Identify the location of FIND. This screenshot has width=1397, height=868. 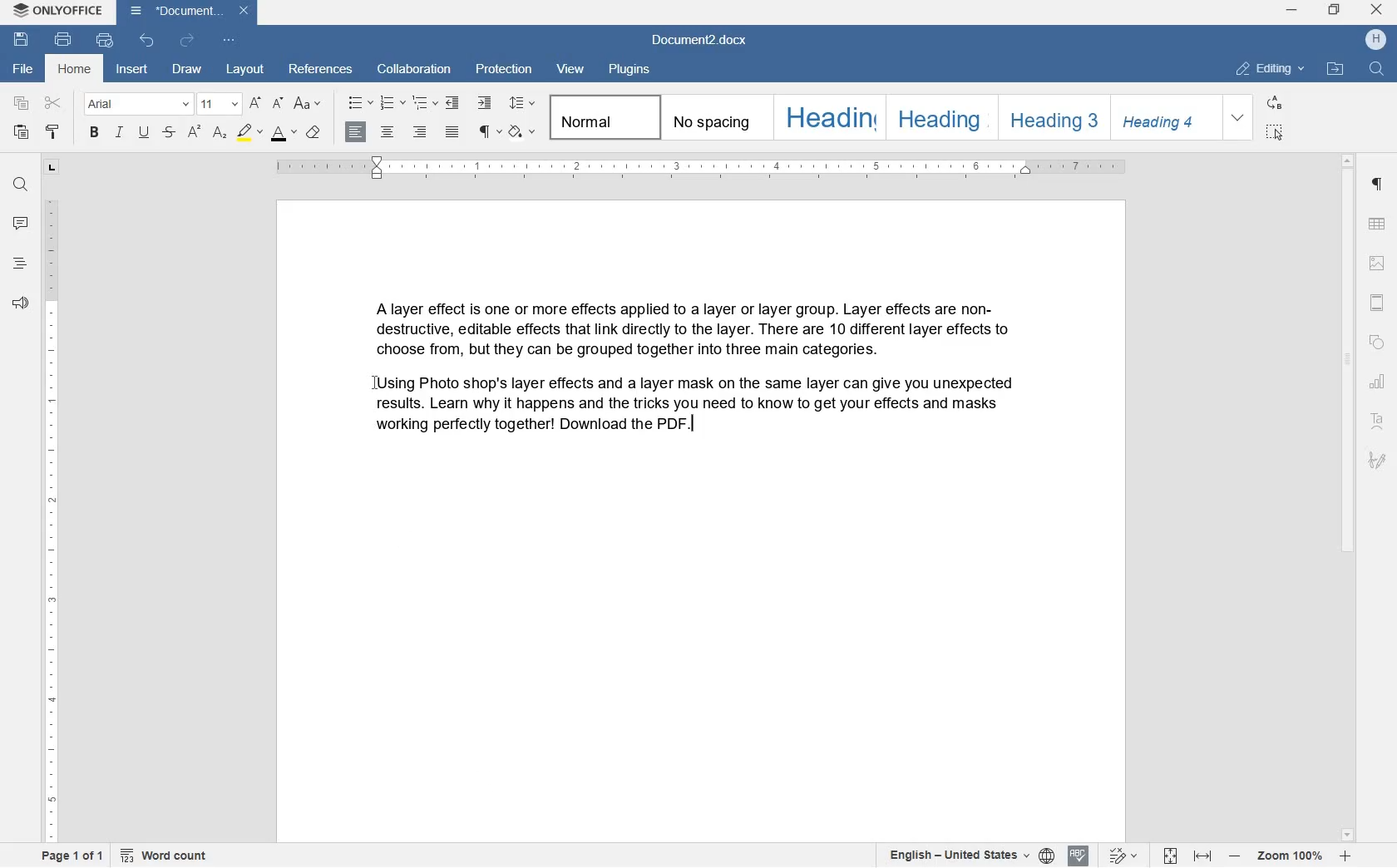
(21, 186).